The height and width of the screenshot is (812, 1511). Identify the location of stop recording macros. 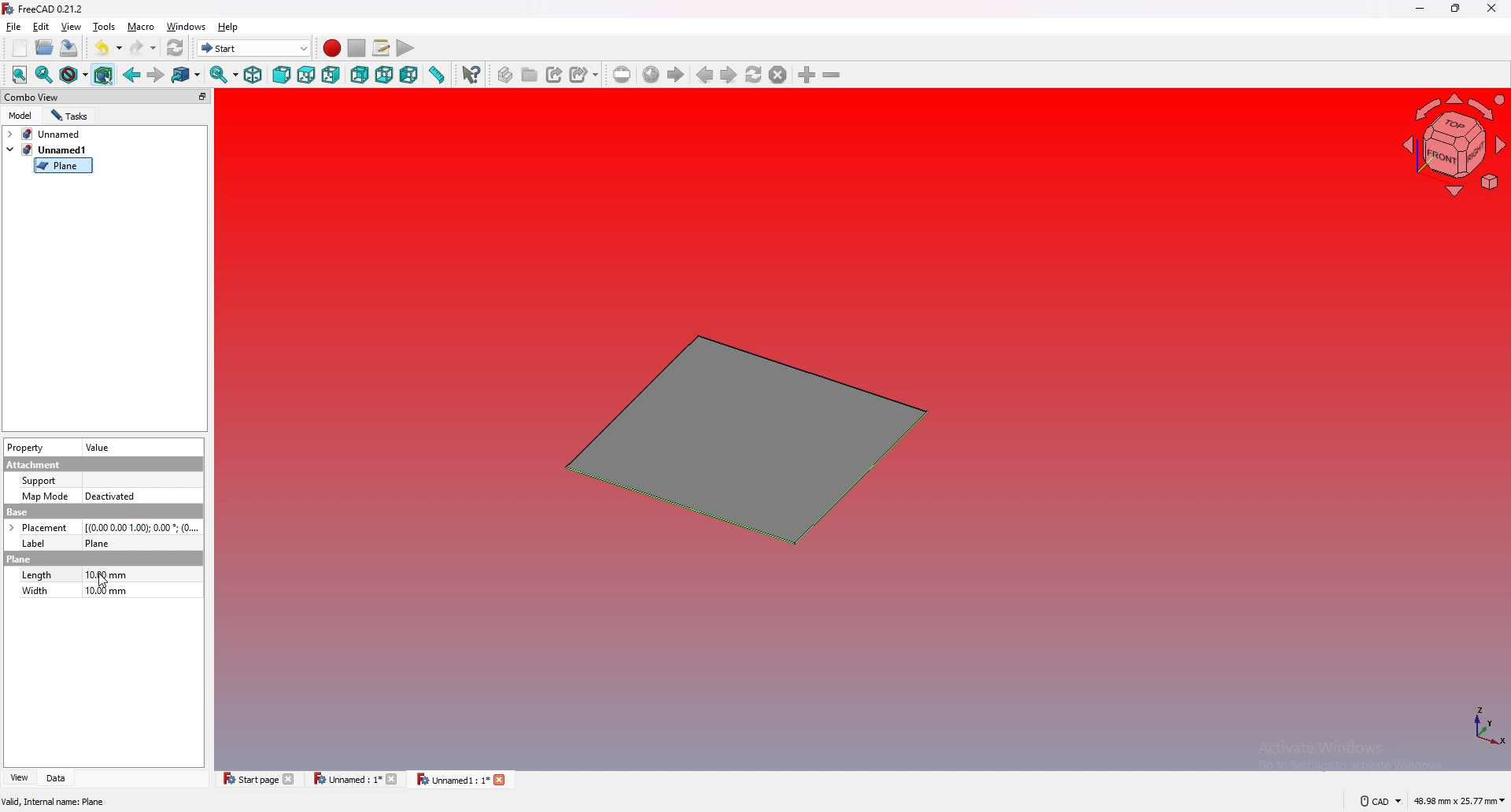
(357, 48).